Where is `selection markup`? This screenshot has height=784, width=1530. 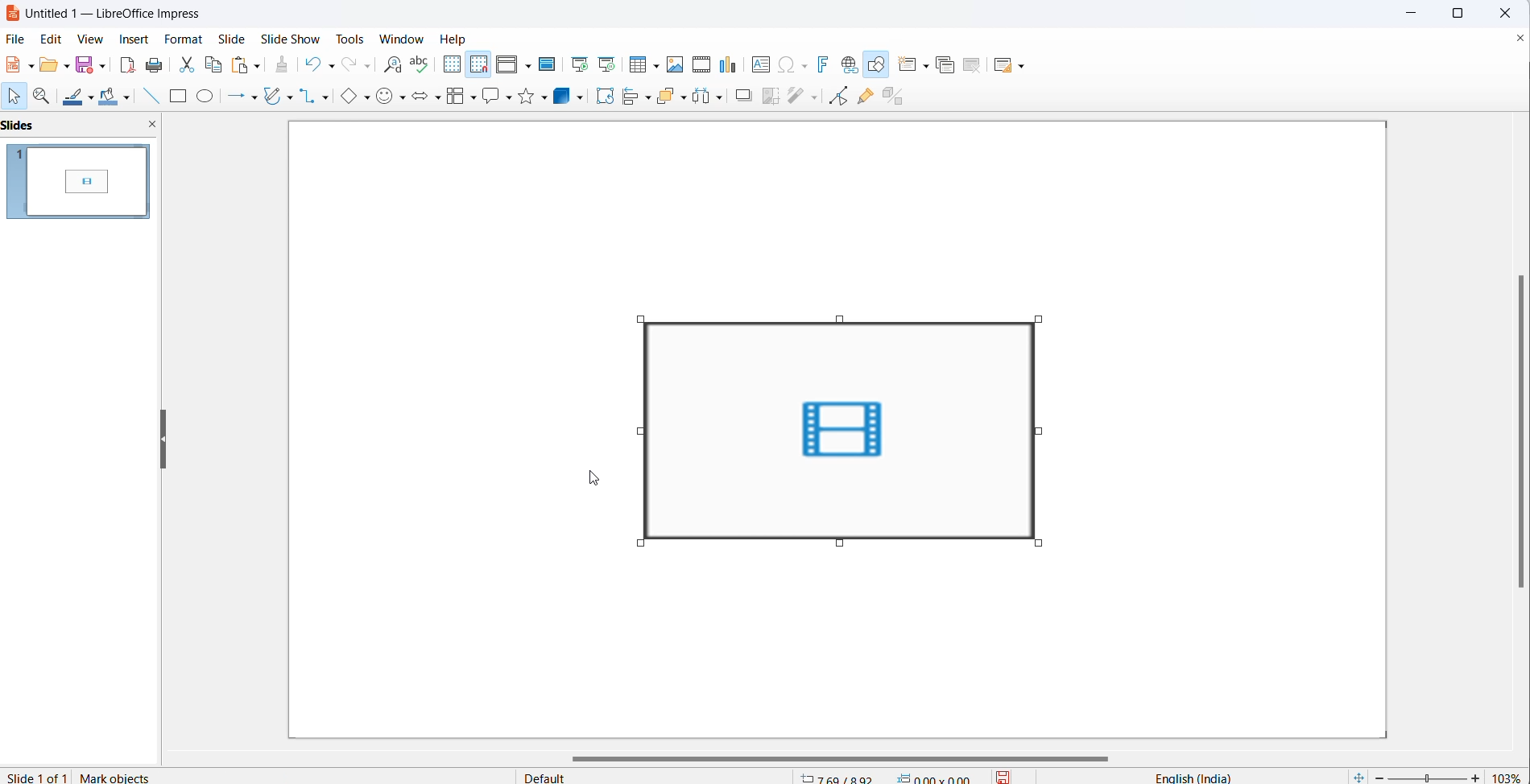
selection markup is located at coordinates (1049, 430).